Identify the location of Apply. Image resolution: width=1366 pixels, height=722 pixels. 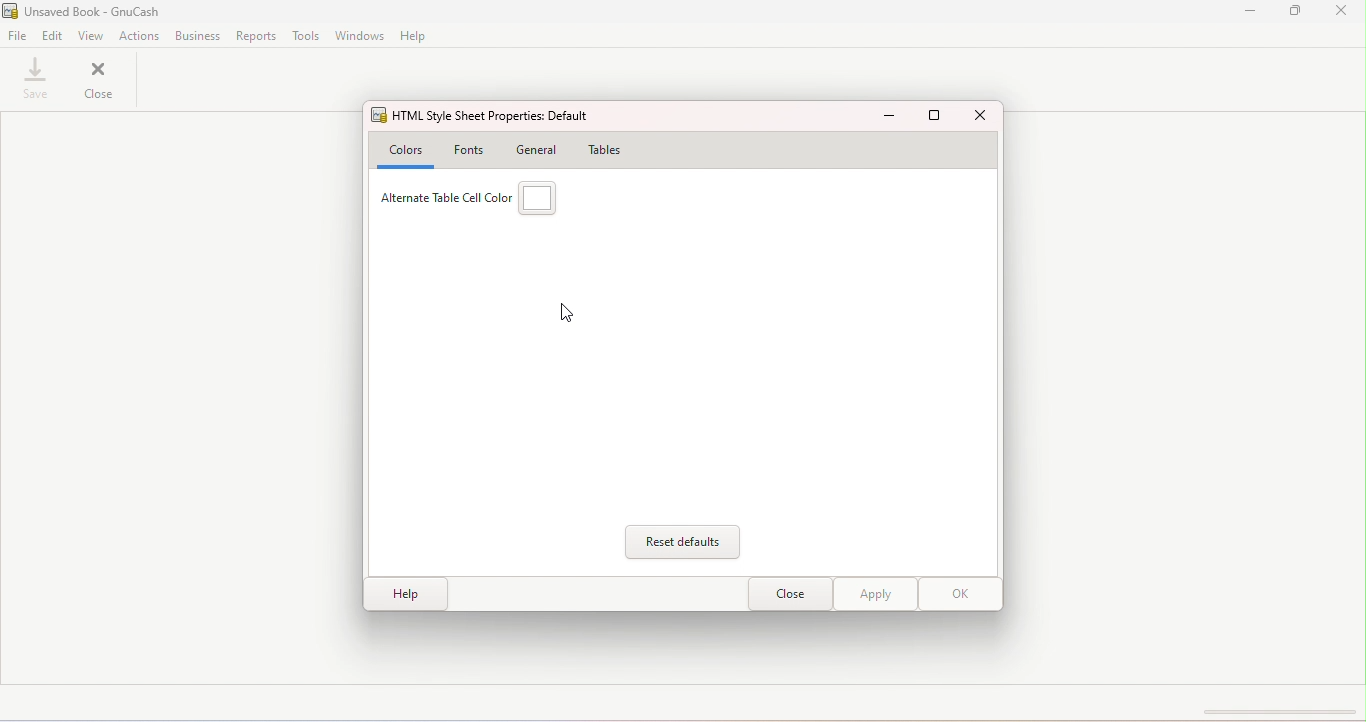
(879, 594).